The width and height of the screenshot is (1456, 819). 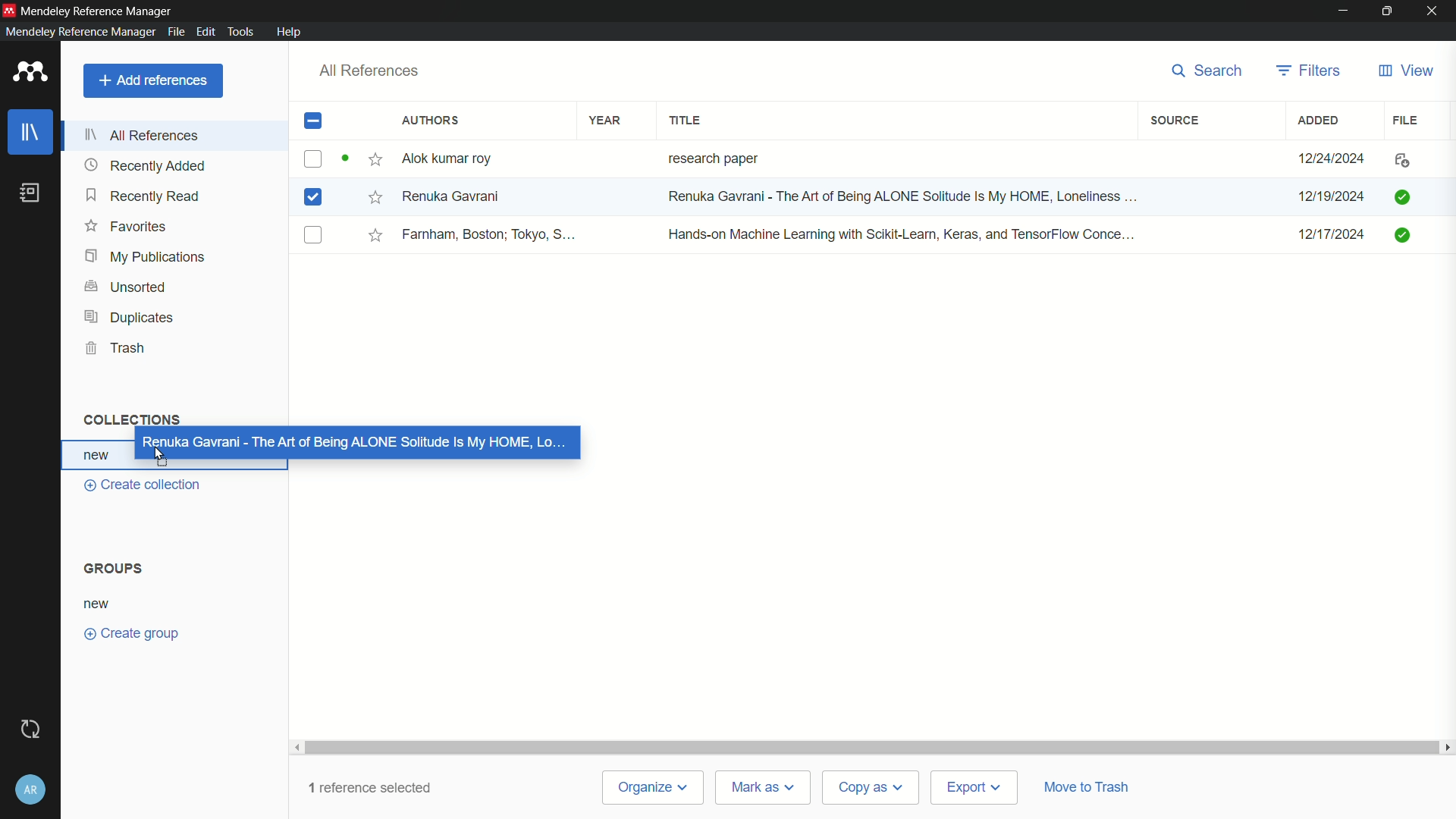 What do you see at coordinates (905, 234) in the screenshot?
I see `Hands-on Machine Learning with Scikit-Learn, Keras, and TensorFlow Conce...` at bounding box center [905, 234].